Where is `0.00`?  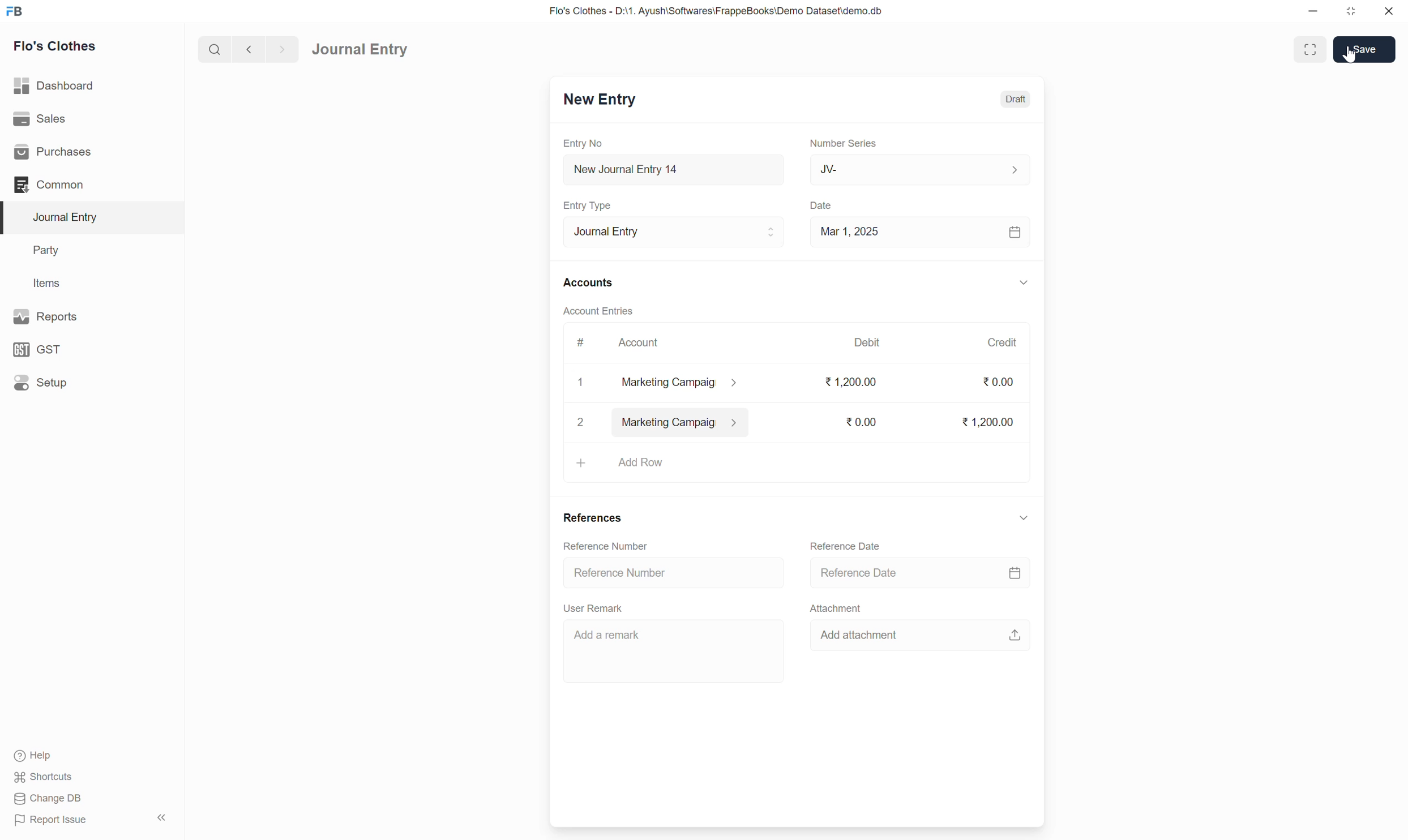
0.00 is located at coordinates (859, 421).